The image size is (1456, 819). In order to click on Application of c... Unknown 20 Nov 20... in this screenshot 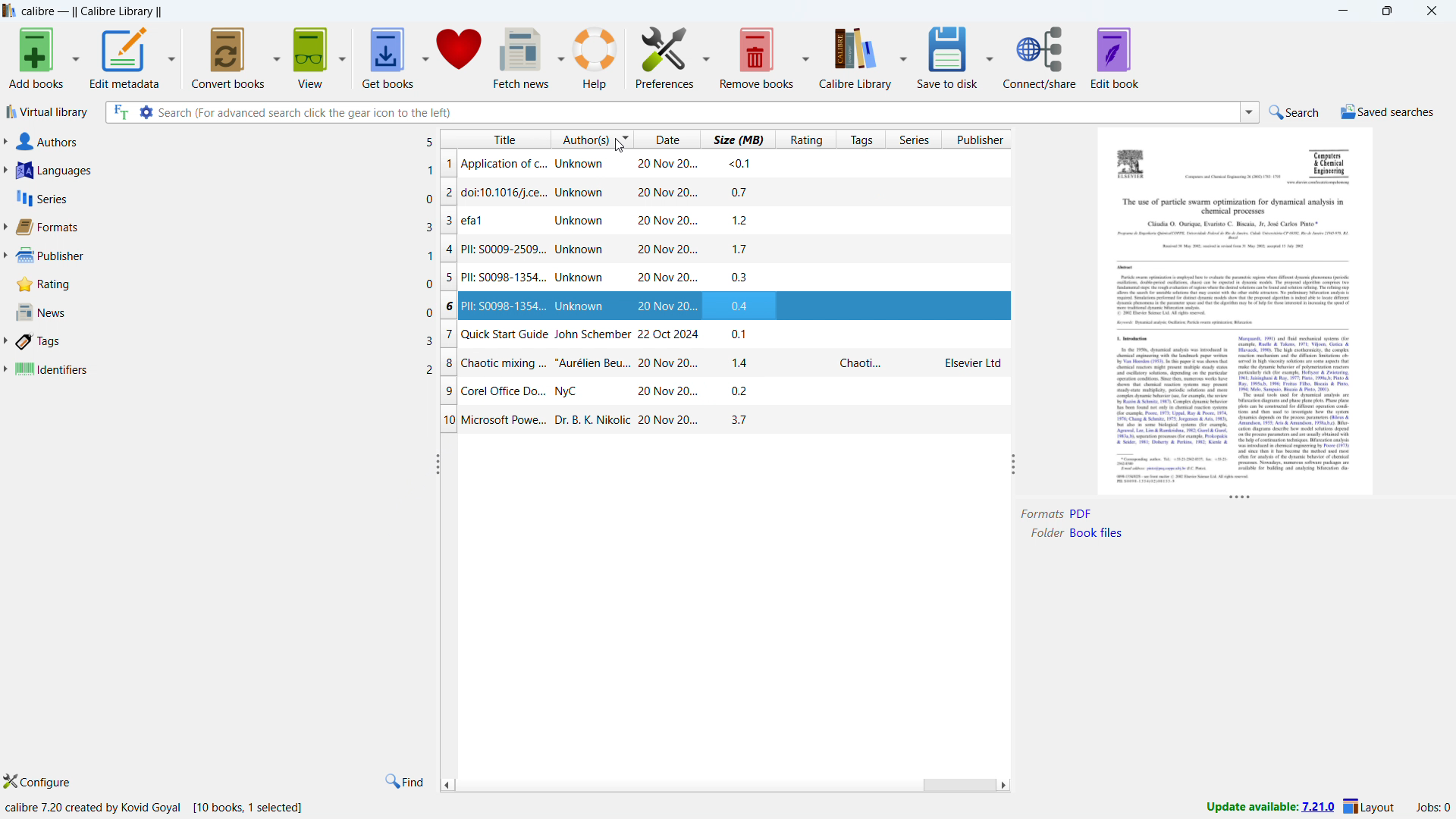, I will do `click(578, 164)`.